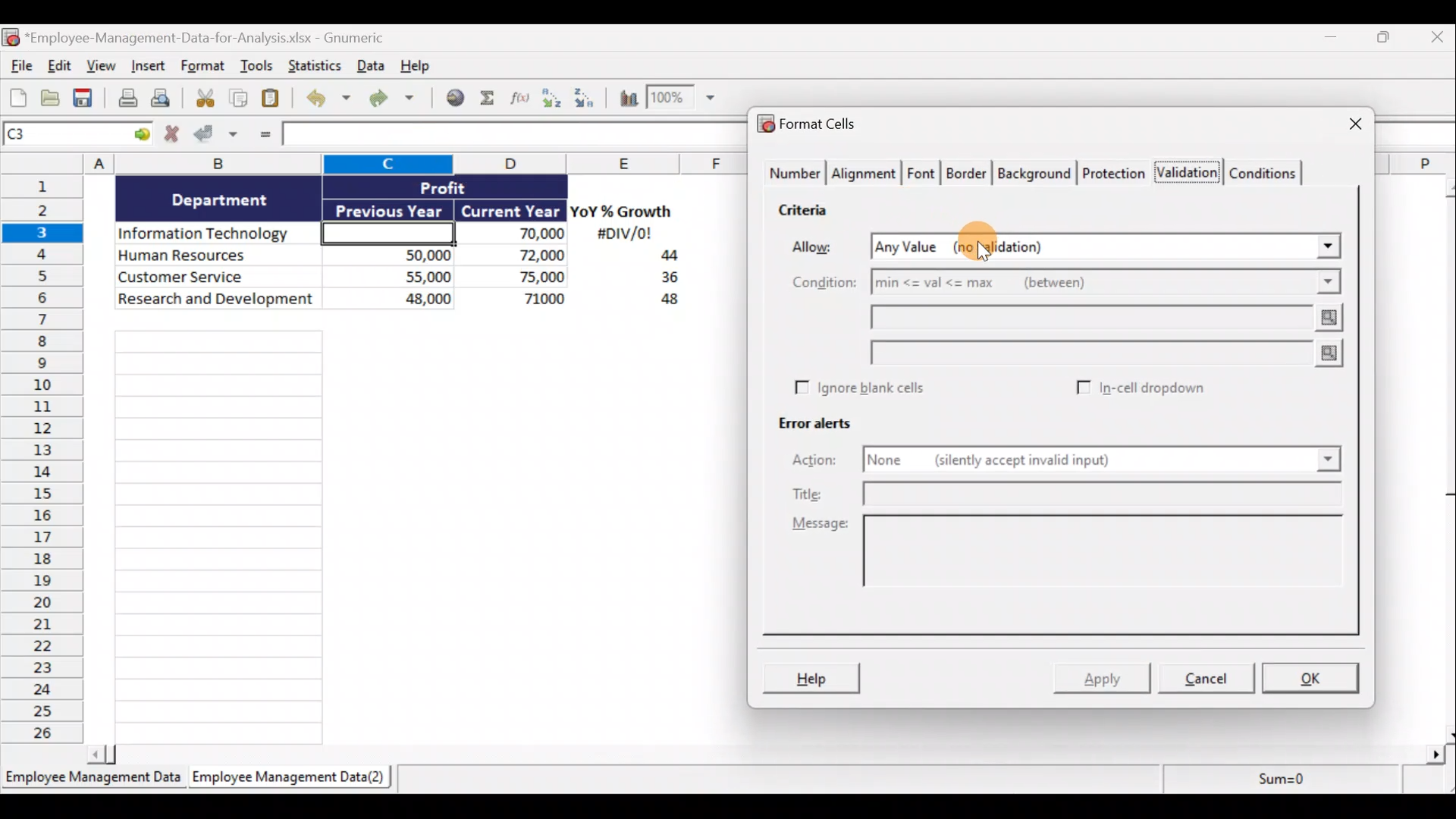  What do you see at coordinates (622, 212) in the screenshot?
I see `YoY% Growth` at bounding box center [622, 212].